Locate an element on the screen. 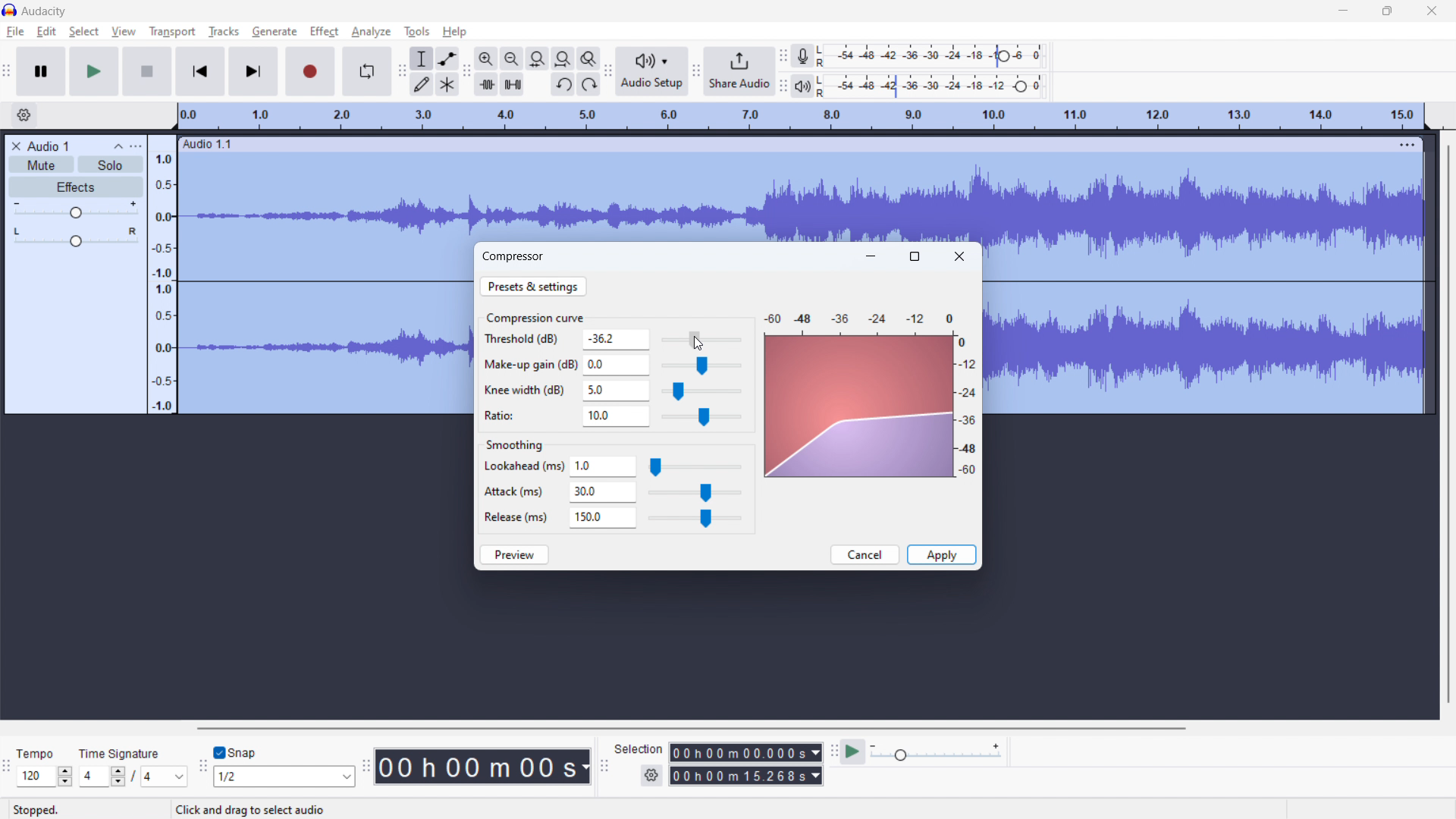  graph updating is located at coordinates (860, 407).